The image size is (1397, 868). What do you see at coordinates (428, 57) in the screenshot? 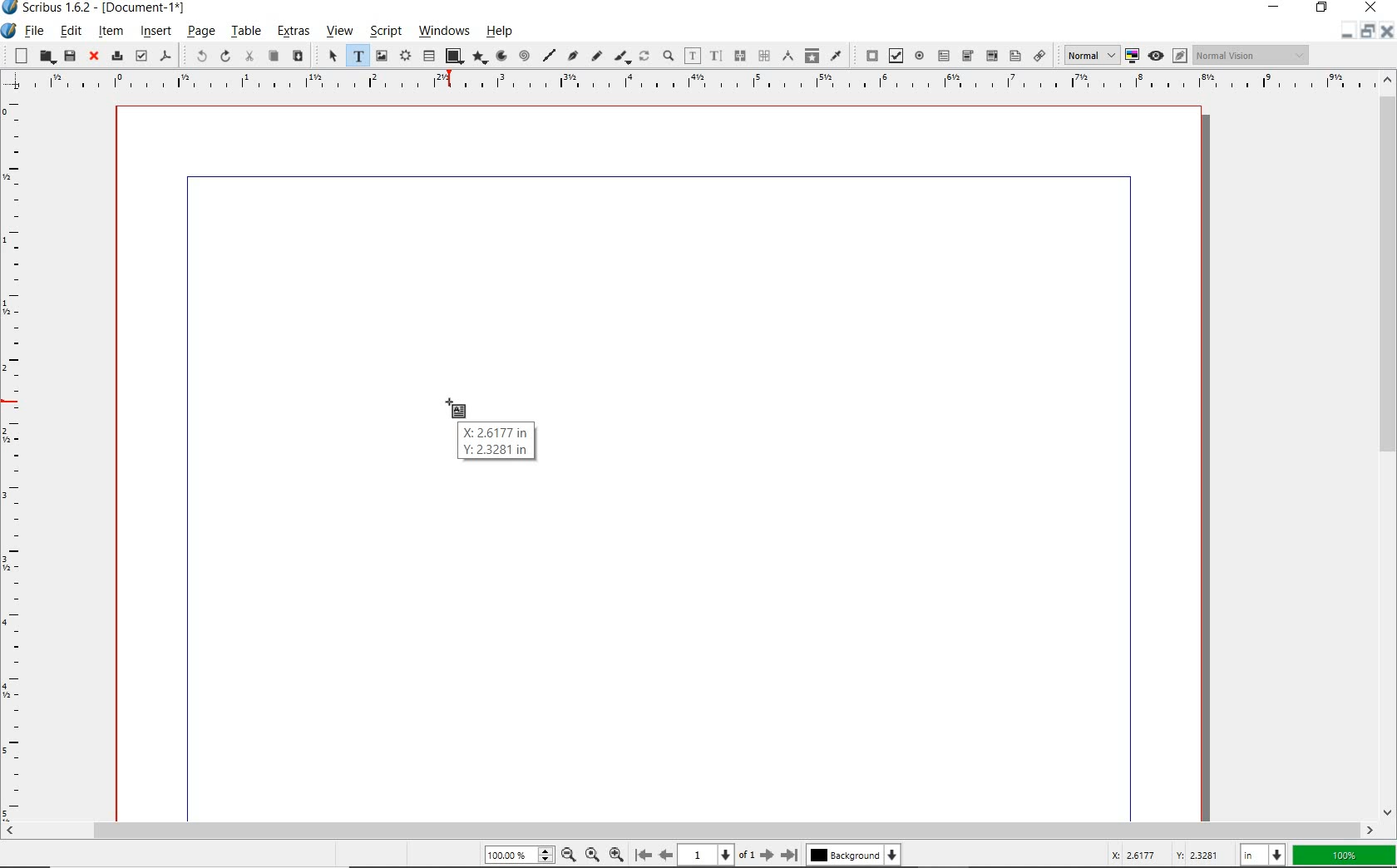
I see `table` at bounding box center [428, 57].